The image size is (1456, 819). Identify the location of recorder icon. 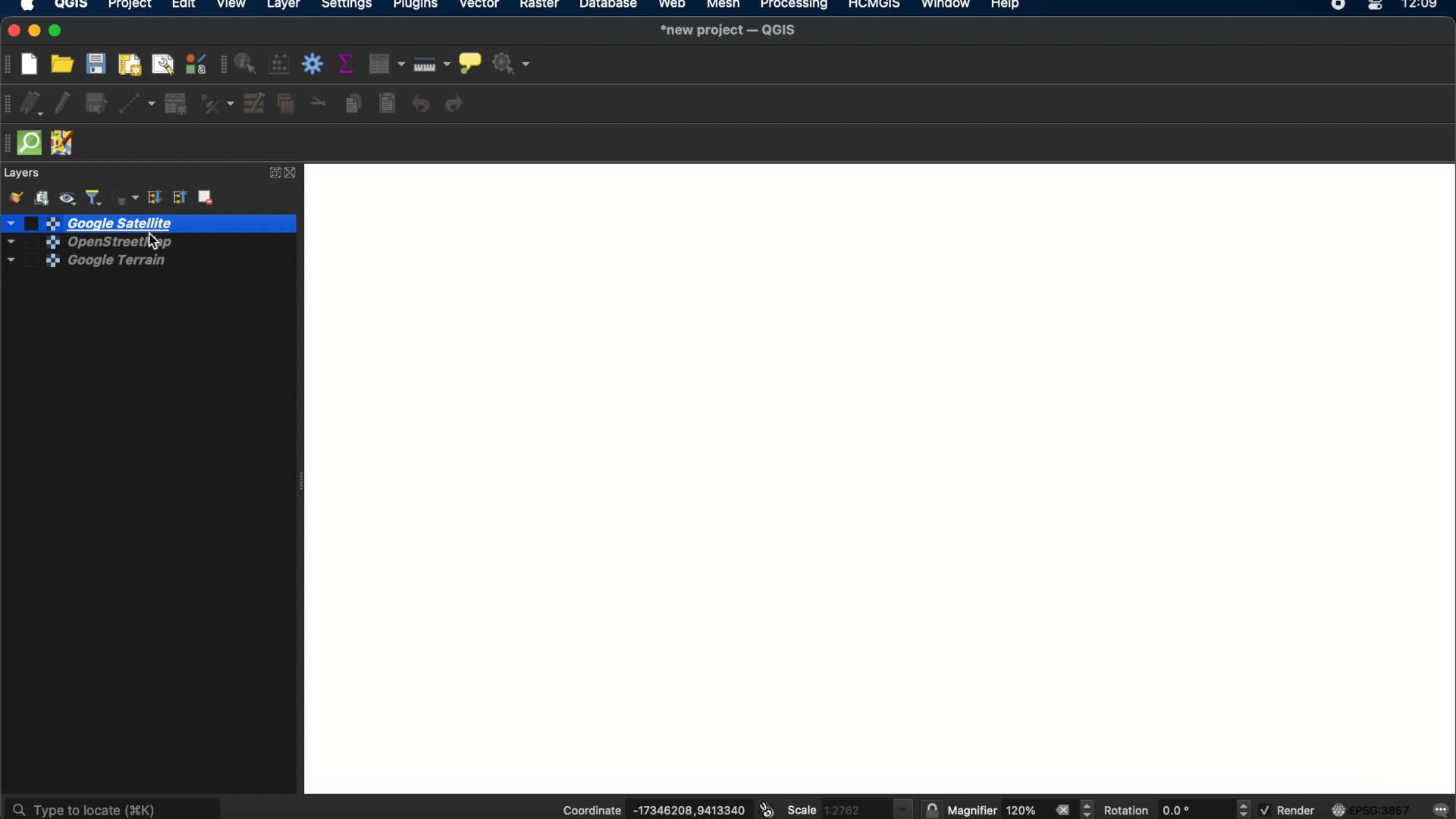
(1339, 6).